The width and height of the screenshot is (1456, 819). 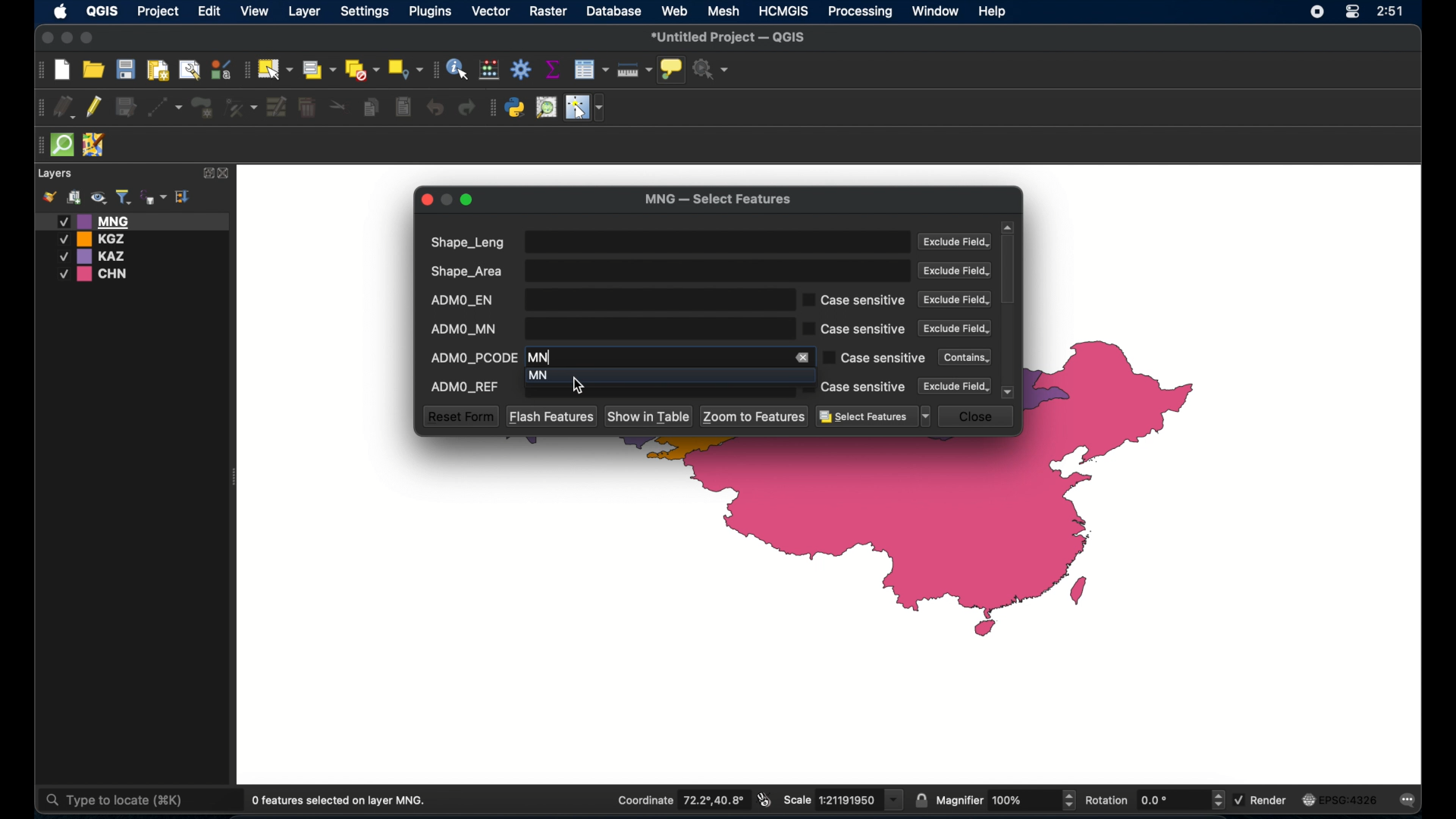 What do you see at coordinates (667, 242) in the screenshot?
I see `shape_LEng` at bounding box center [667, 242].